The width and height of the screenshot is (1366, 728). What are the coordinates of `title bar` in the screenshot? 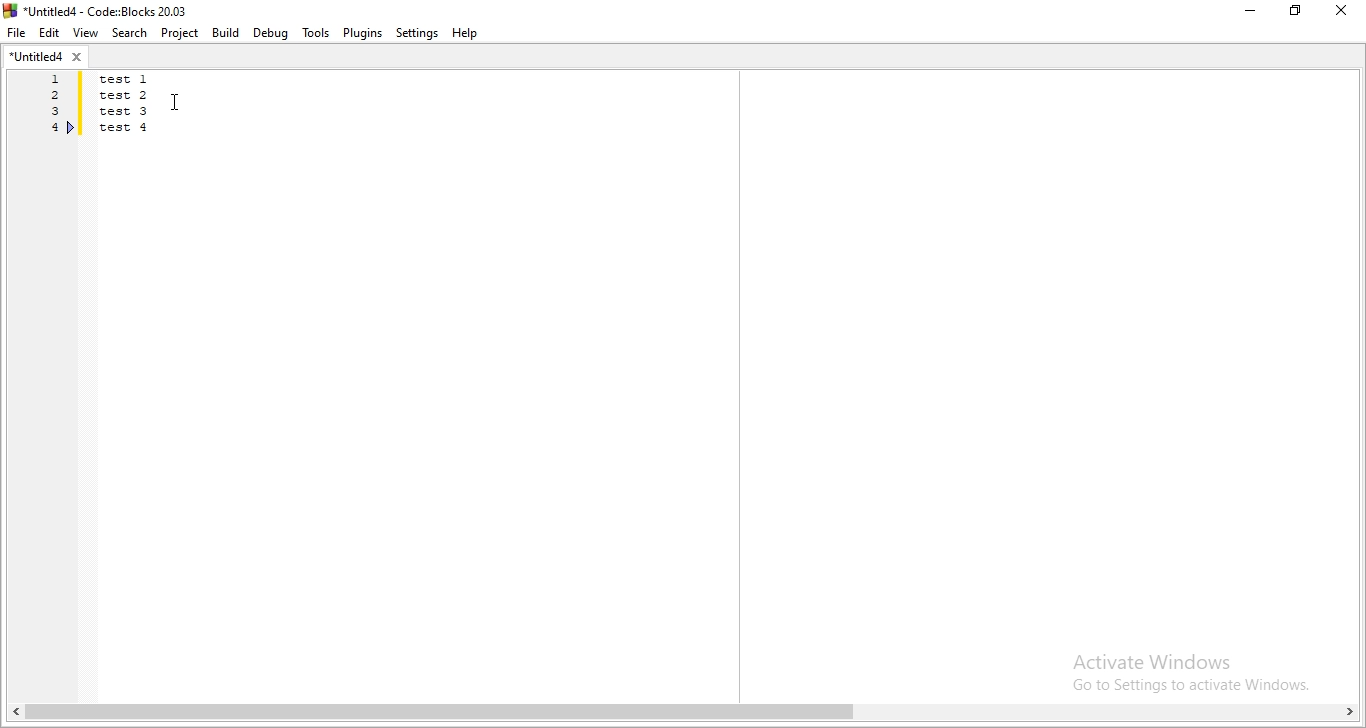 It's located at (105, 10).